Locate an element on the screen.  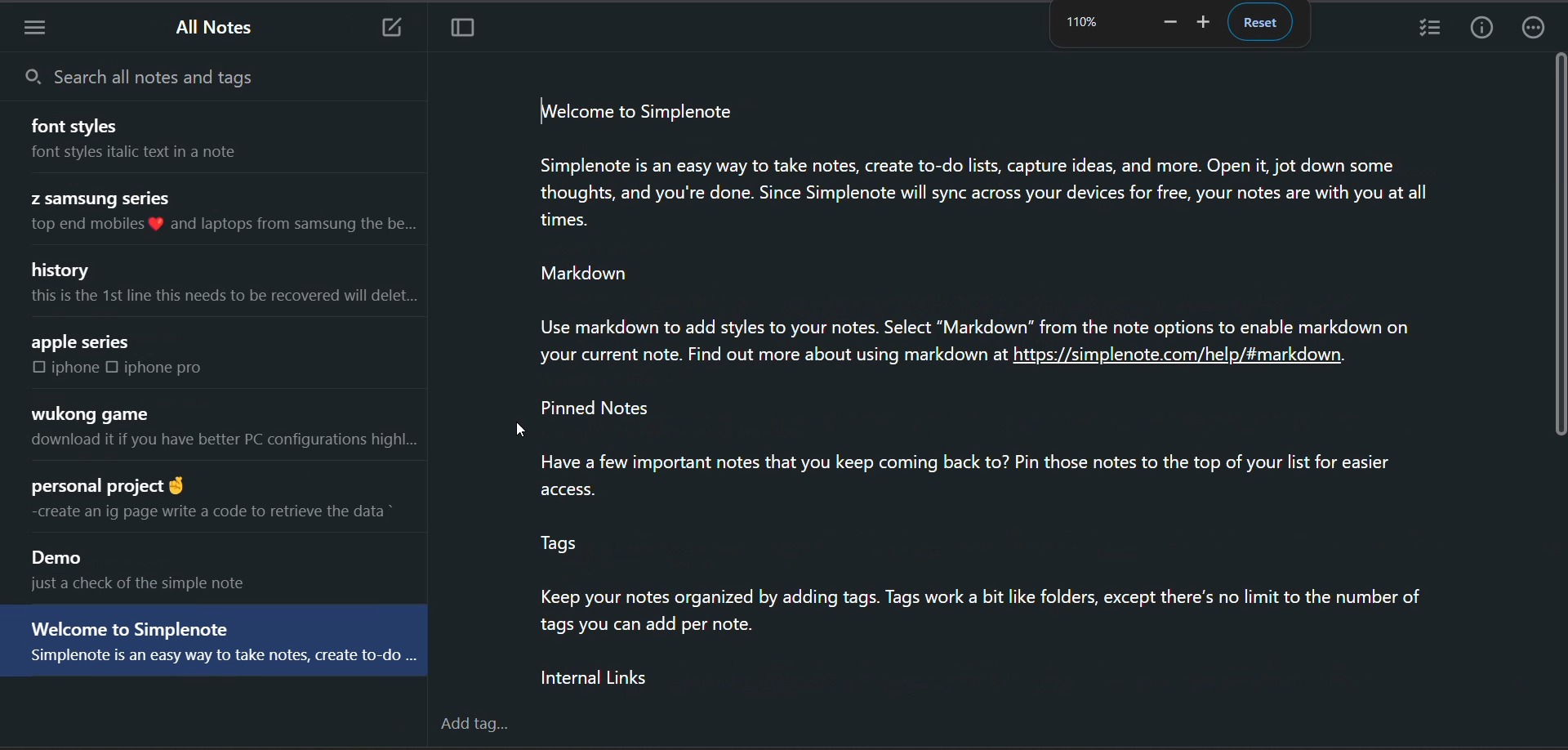
Welcome to Simplenote is located at coordinates (131, 627).